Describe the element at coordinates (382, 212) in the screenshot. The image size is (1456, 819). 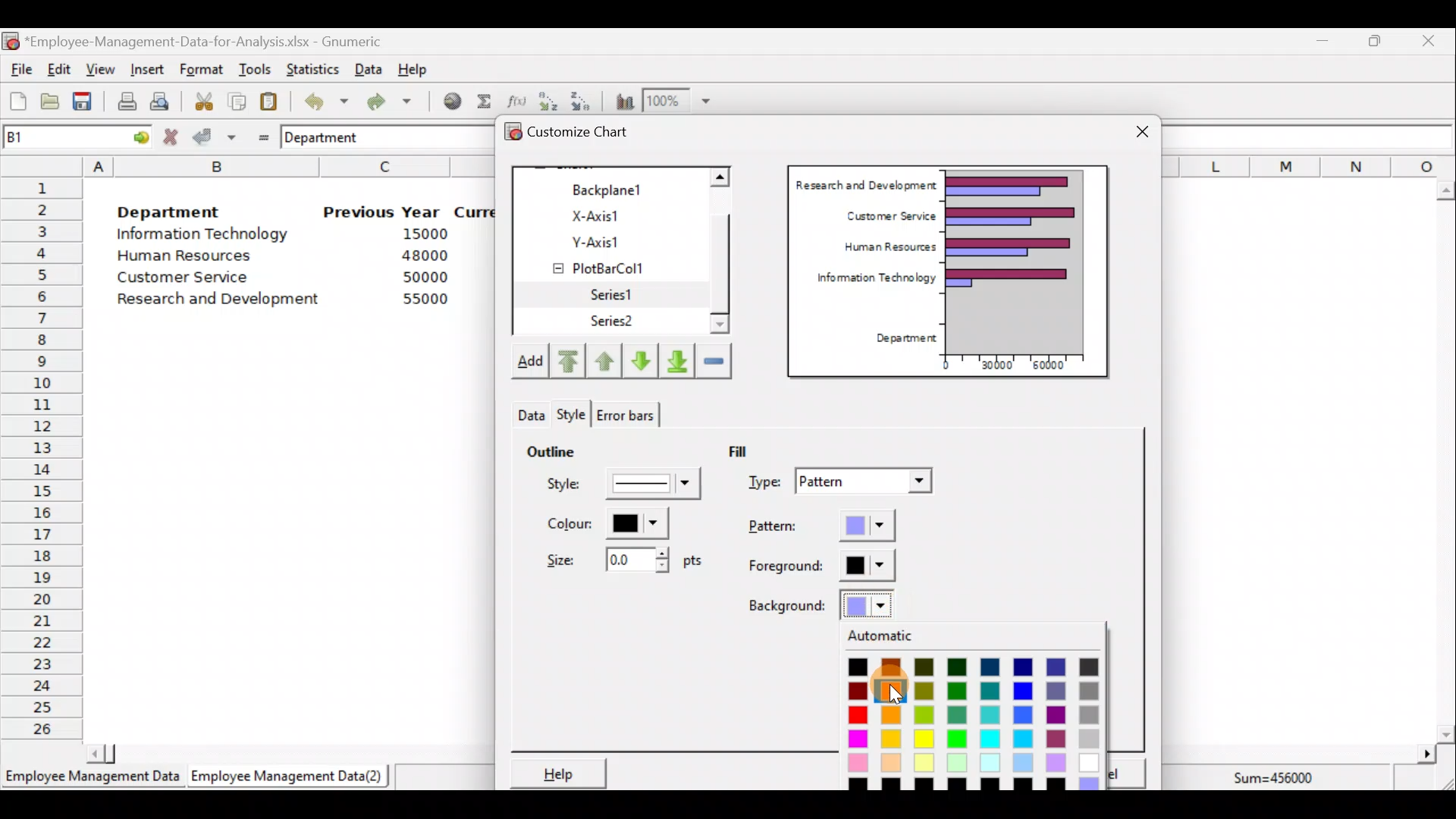
I see `Previous Year` at that location.